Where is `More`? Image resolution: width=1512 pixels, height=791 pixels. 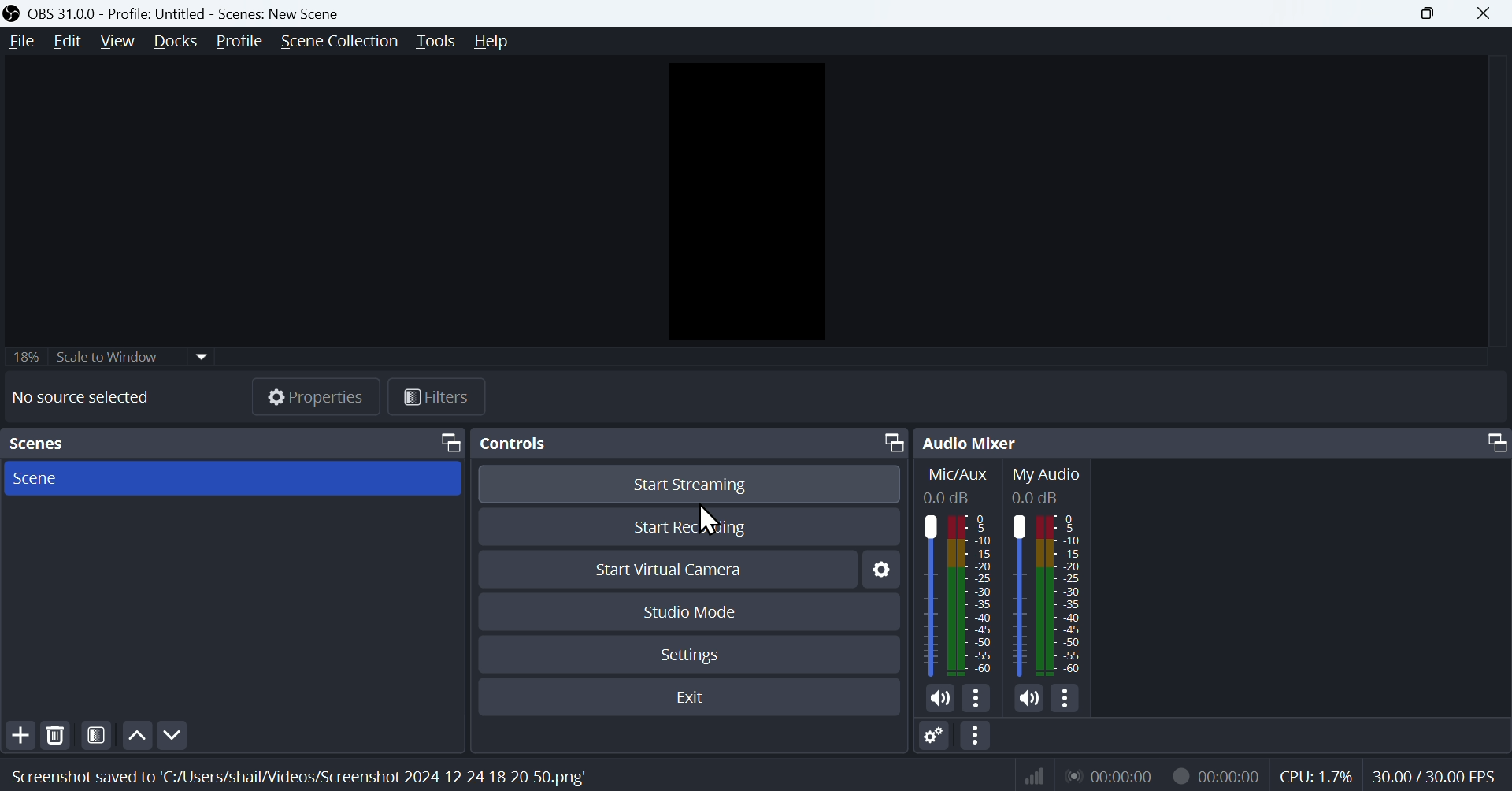
More is located at coordinates (977, 696).